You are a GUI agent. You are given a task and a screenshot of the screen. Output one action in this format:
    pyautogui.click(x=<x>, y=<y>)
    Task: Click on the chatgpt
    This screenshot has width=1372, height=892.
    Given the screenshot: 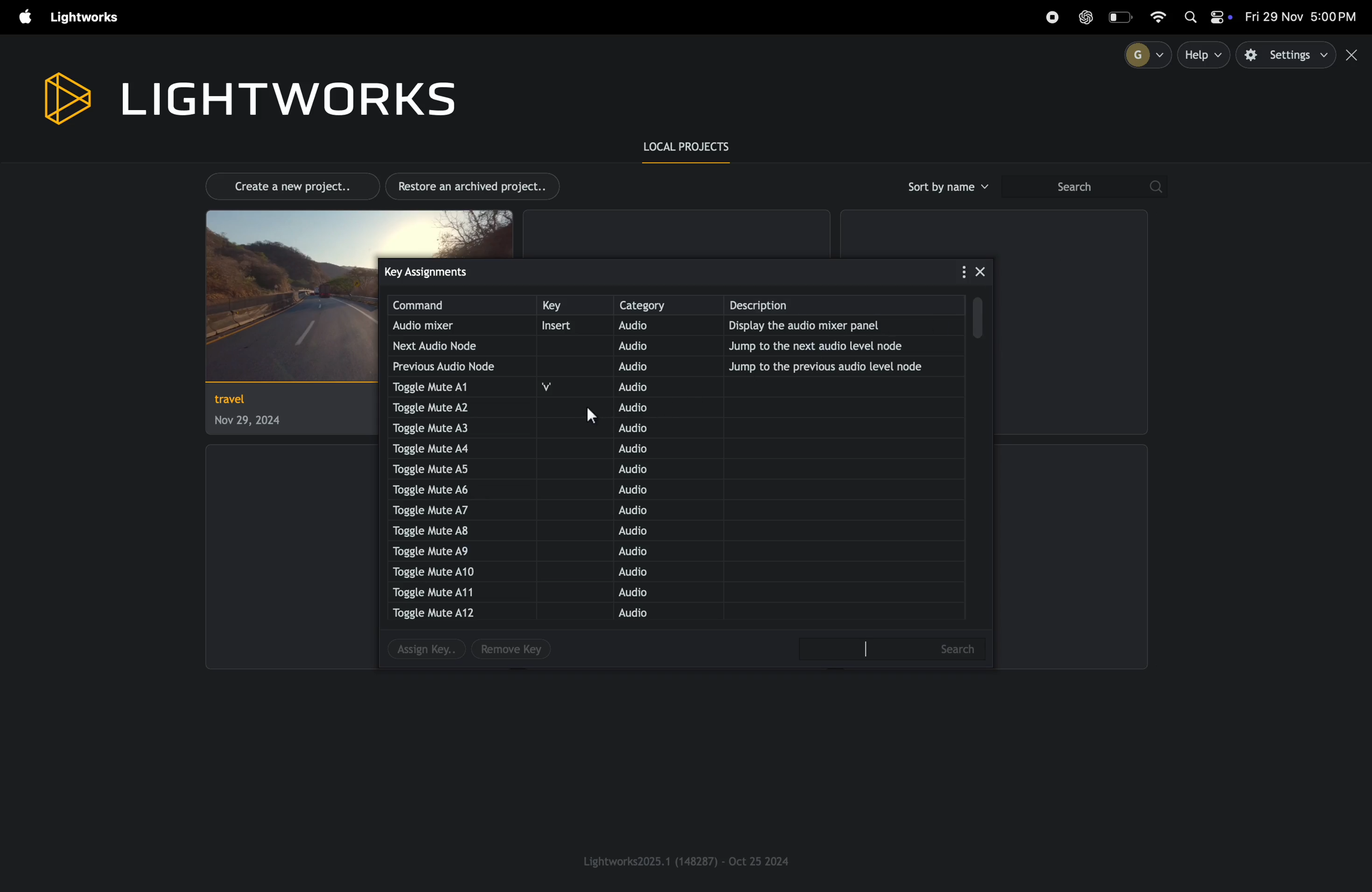 What is the action you would take?
    pyautogui.click(x=1086, y=17)
    